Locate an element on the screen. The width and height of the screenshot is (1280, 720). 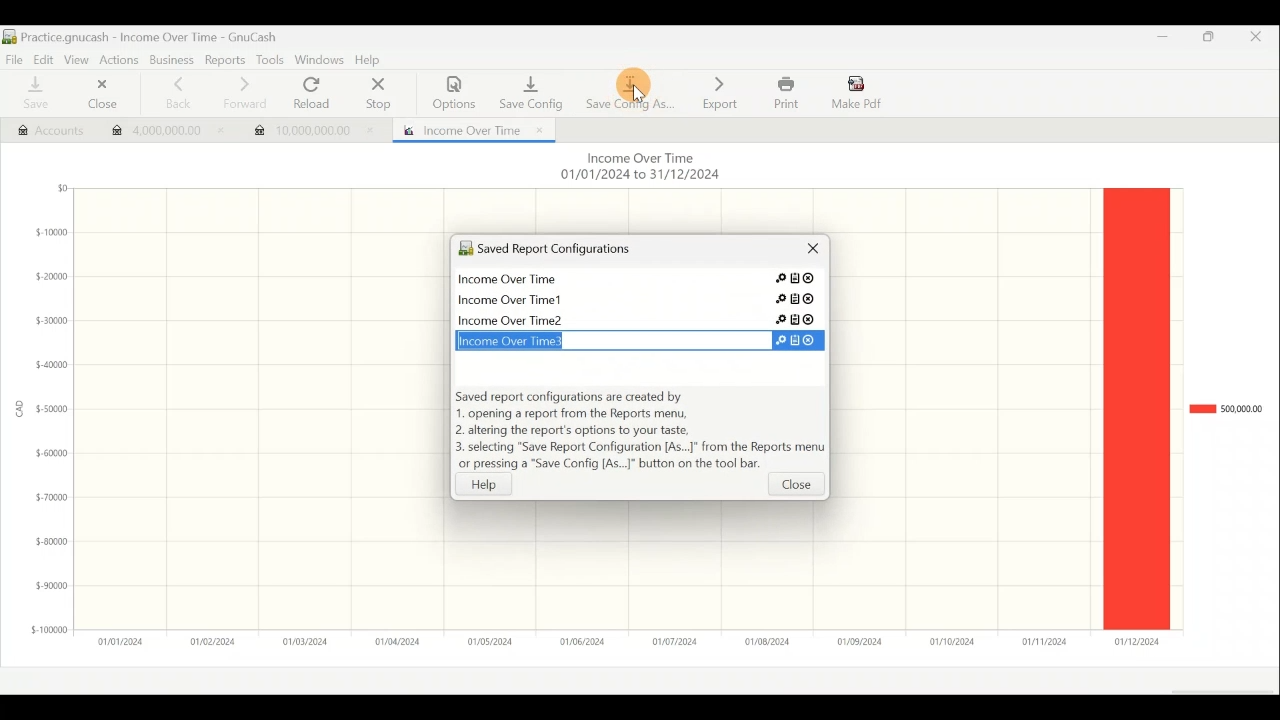
cursor is located at coordinates (638, 97).